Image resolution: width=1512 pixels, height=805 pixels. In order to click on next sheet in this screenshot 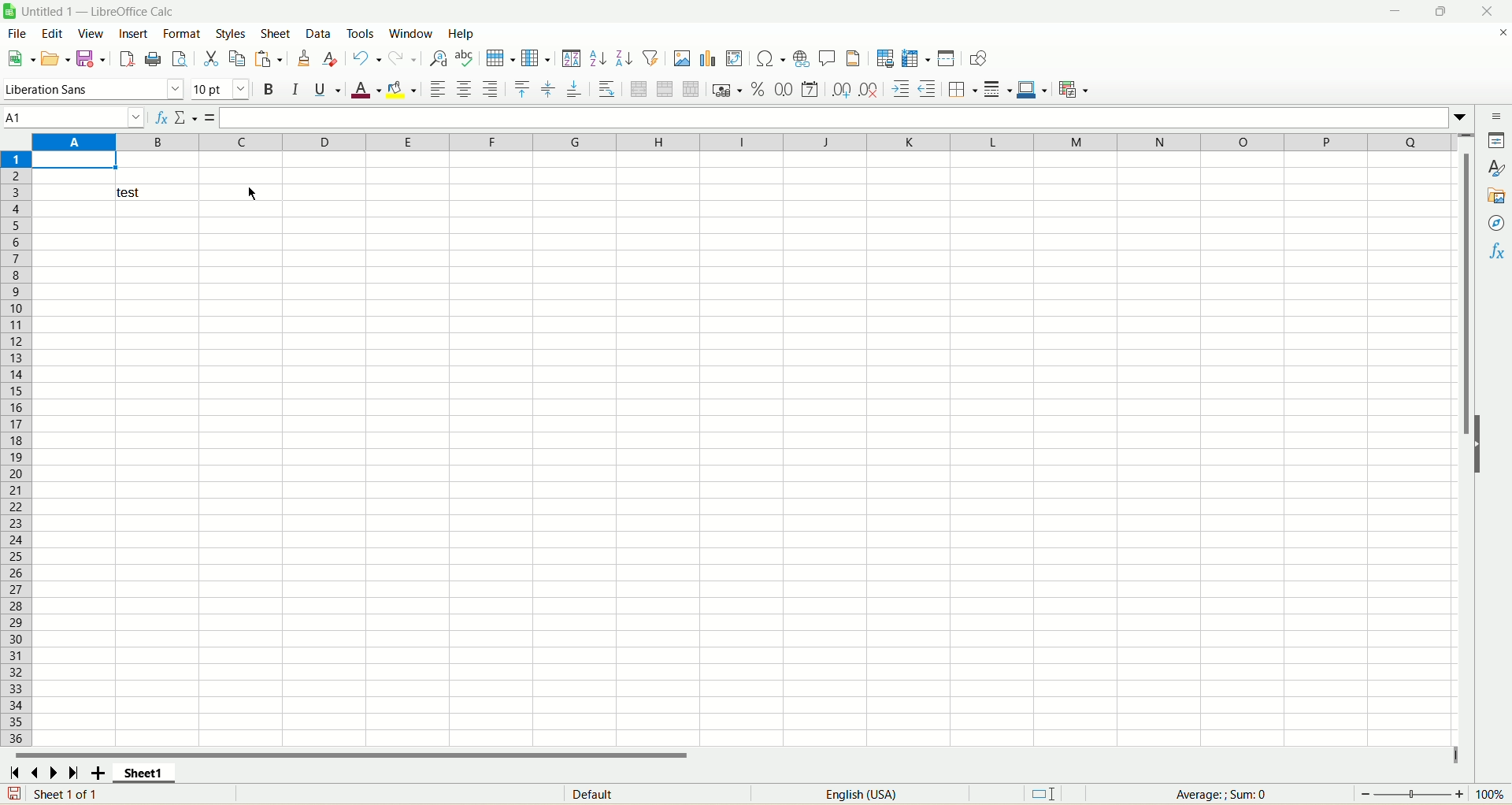, I will do `click(54, 772)`.